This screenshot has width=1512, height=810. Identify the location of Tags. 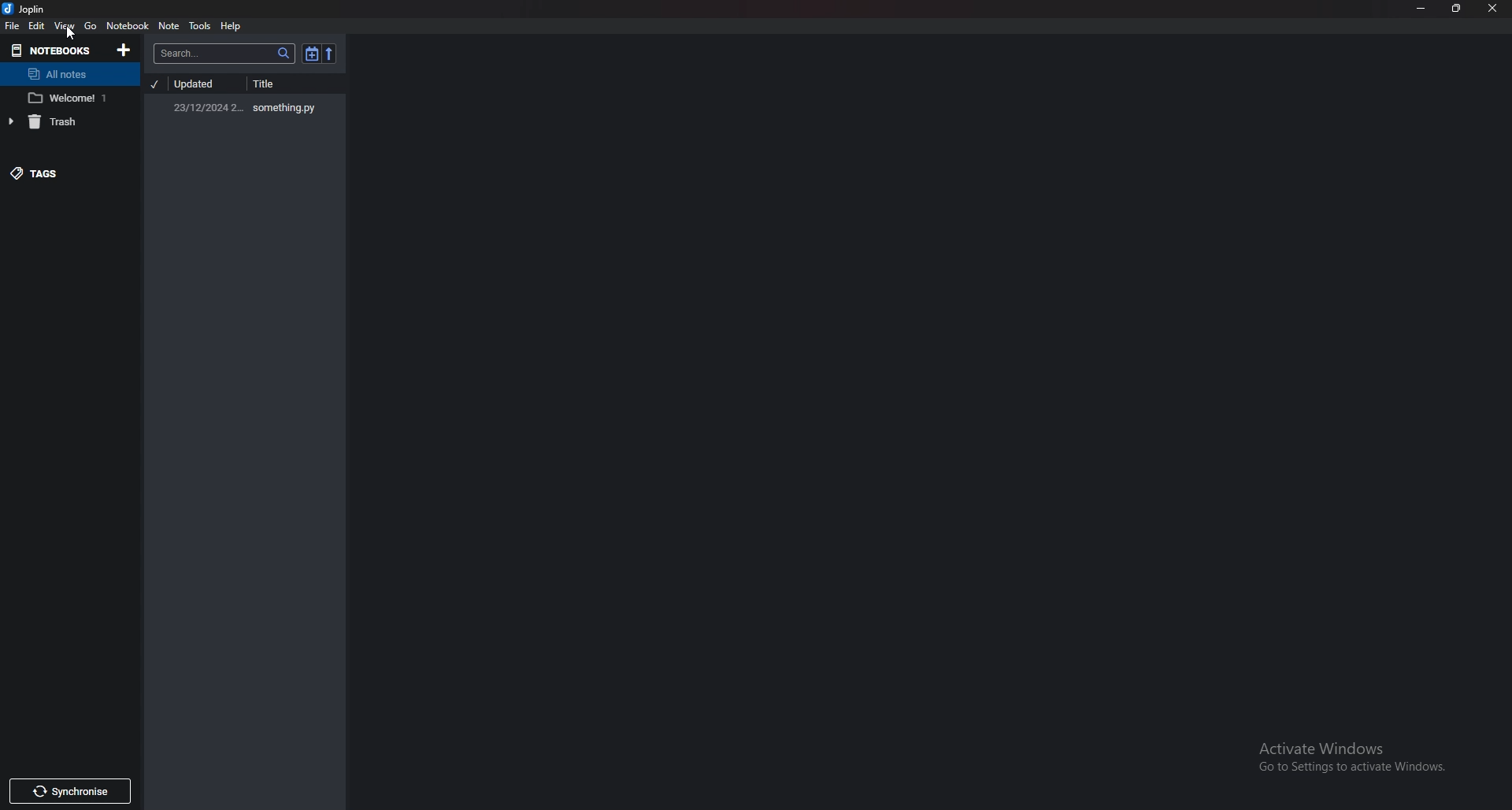
(60, 173).